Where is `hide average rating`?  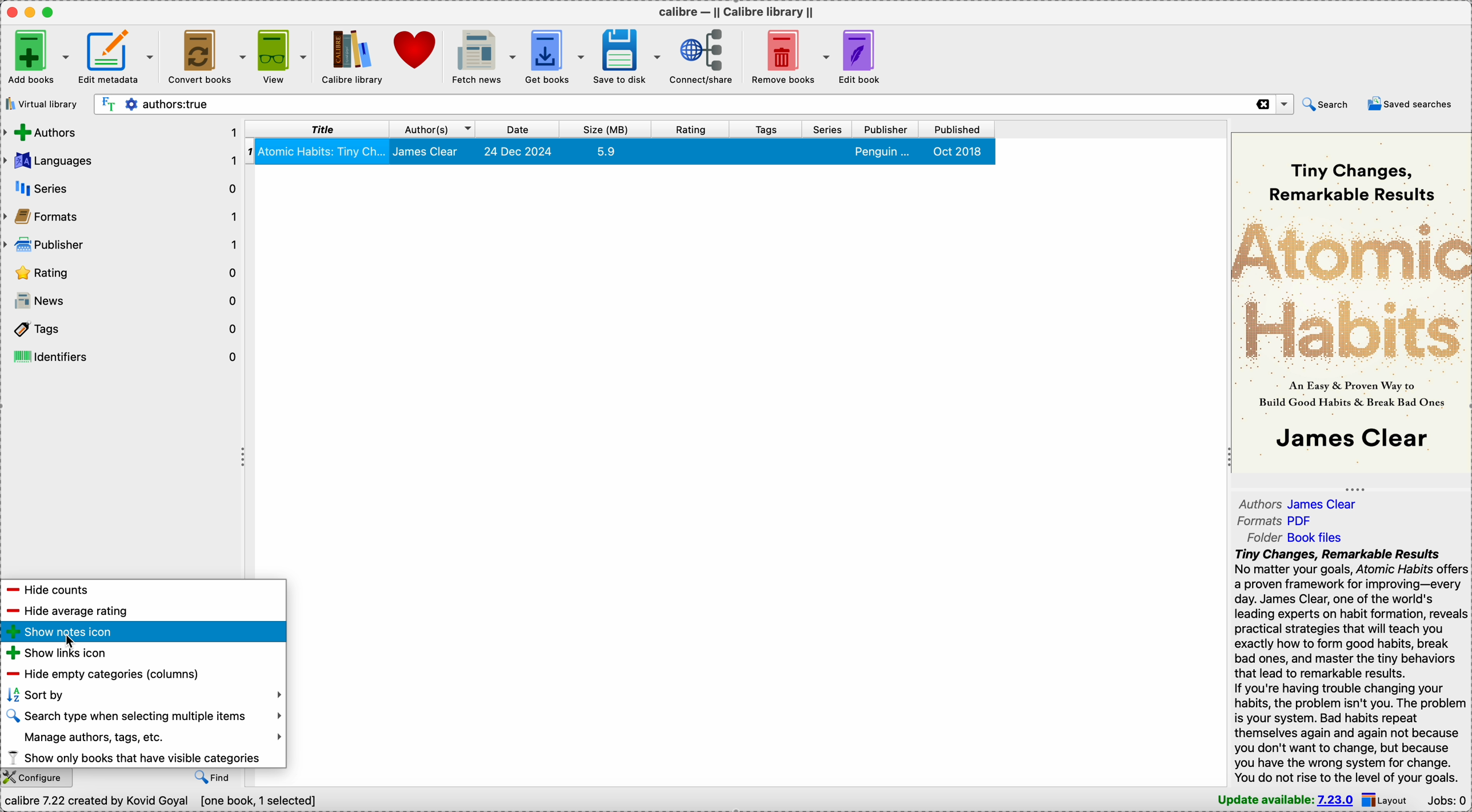
hide average rating is located at coordinates (69, 610).